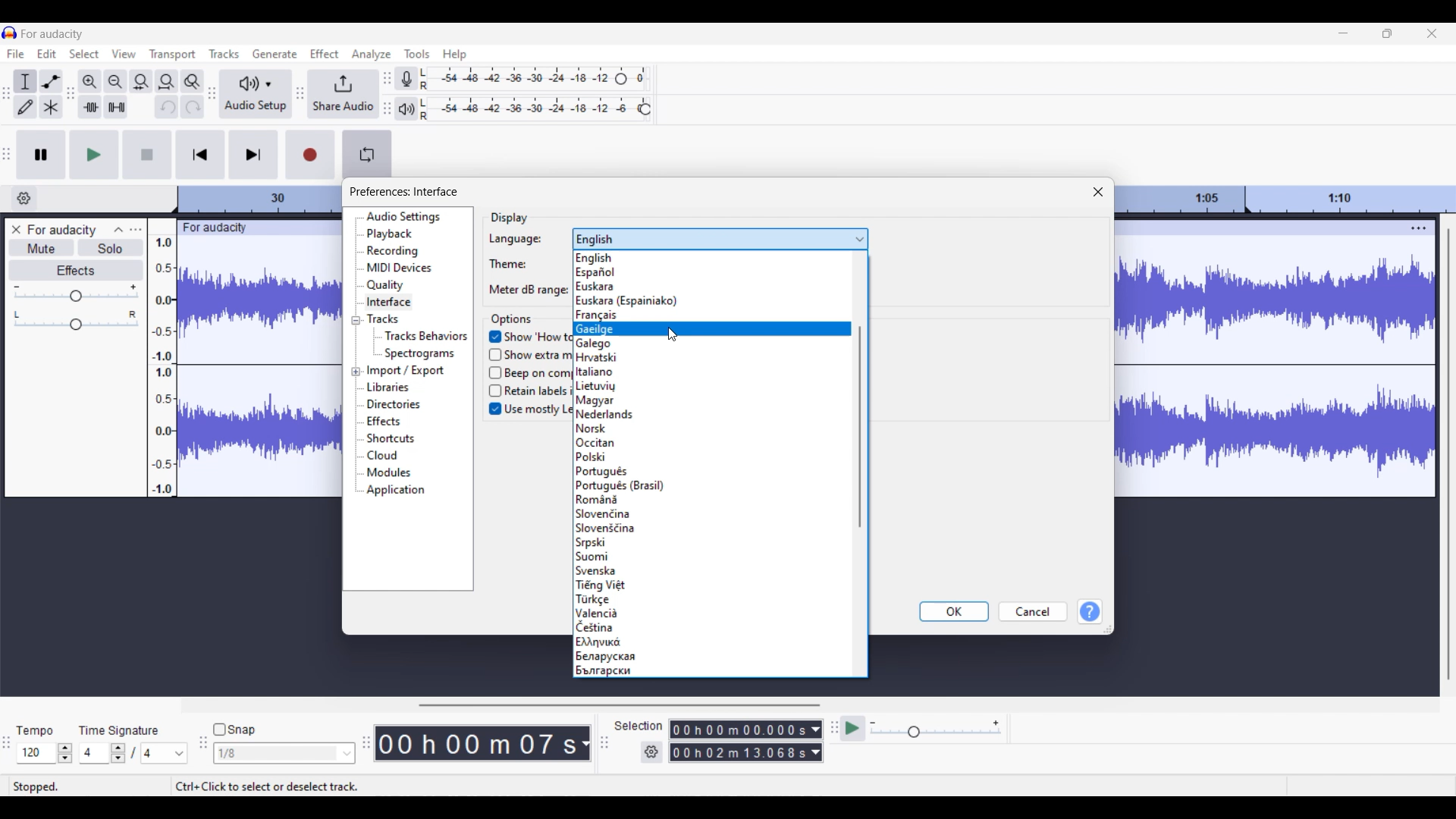 The height and width of the screenshot is (819, 1456). I want to click on Espanol, so click(601, 272).